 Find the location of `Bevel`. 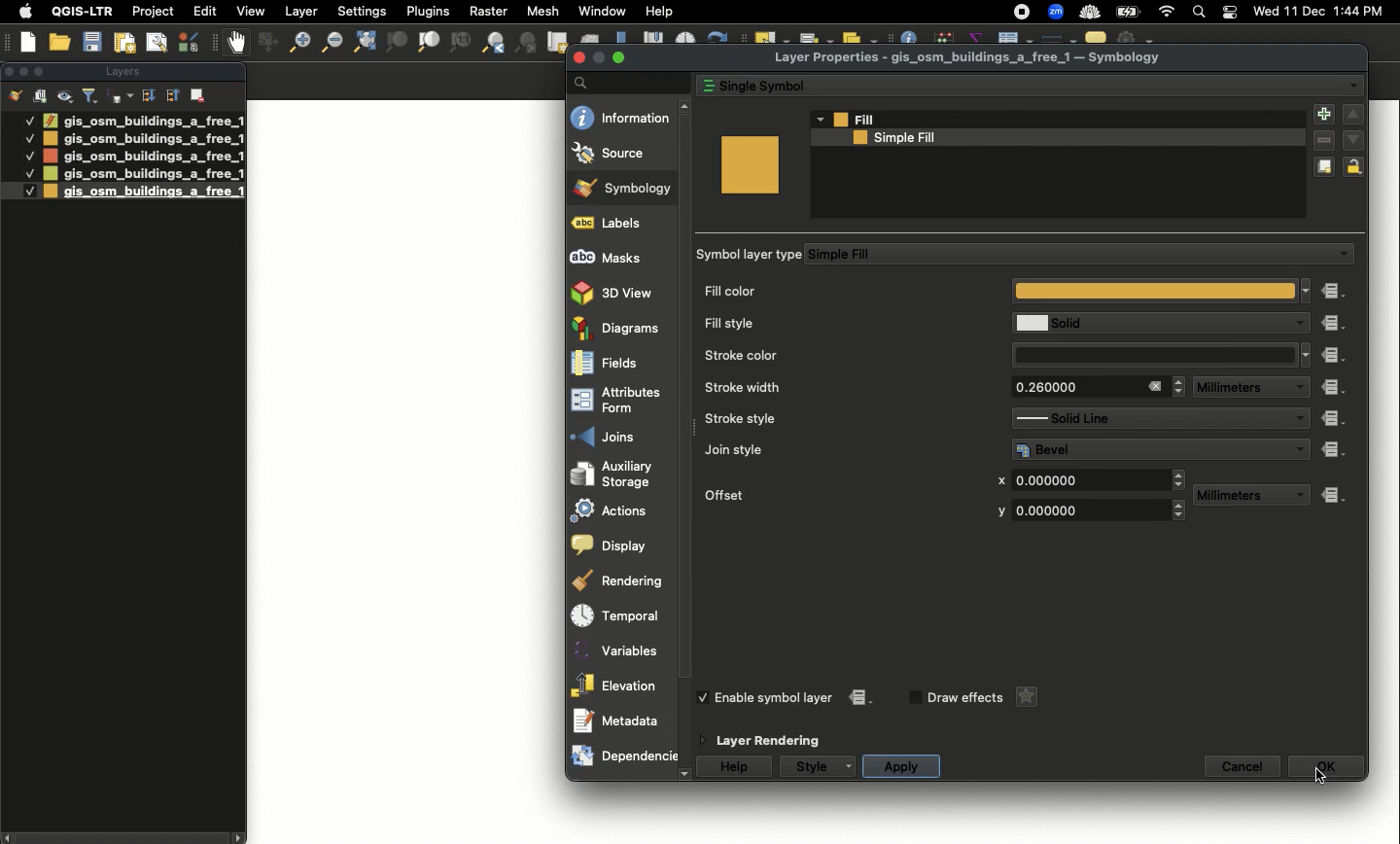

Bevel is located at coordinates (1147, 449).